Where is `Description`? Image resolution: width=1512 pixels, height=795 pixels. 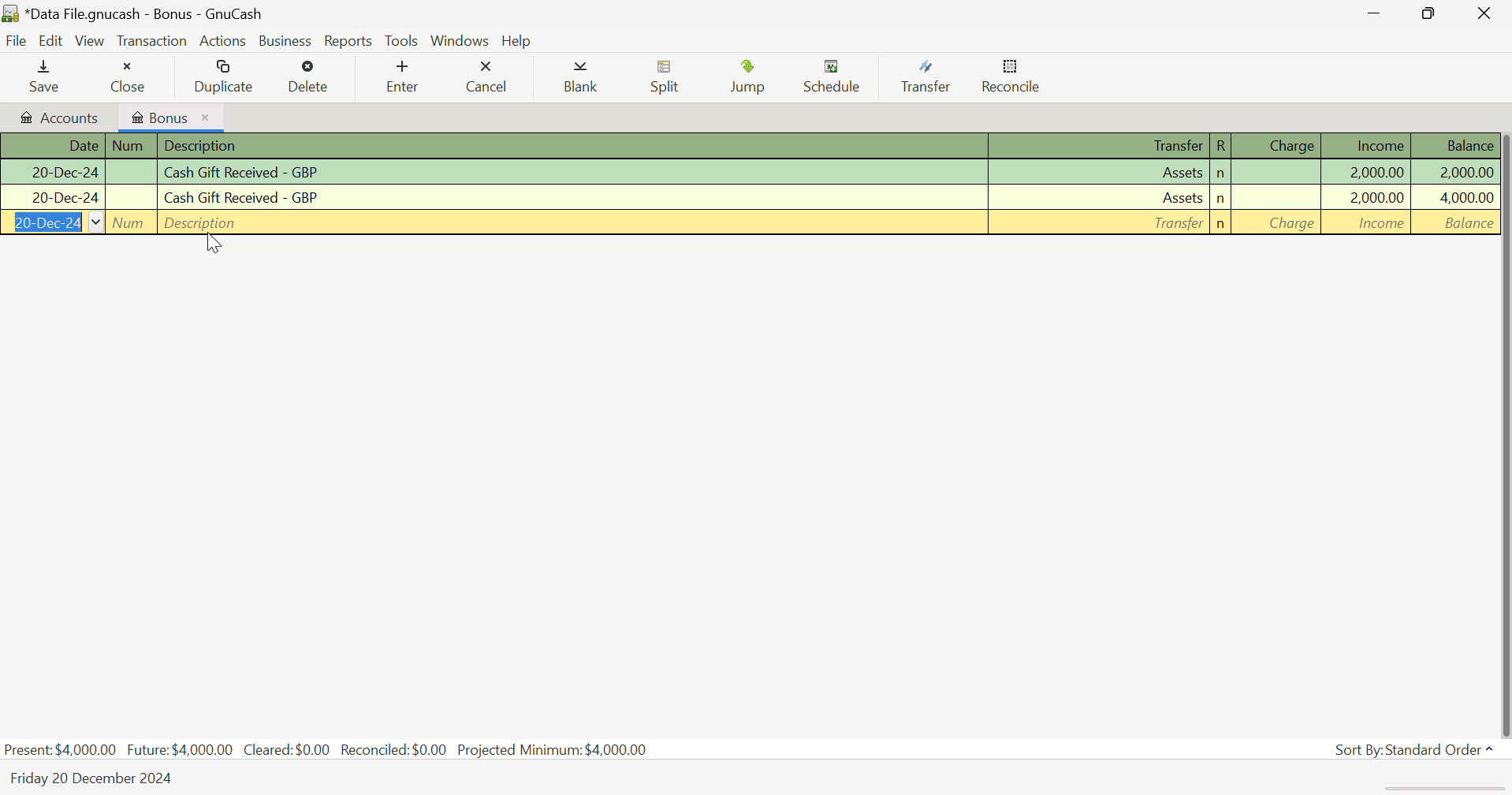
Description is located at coordinates (570, 223).